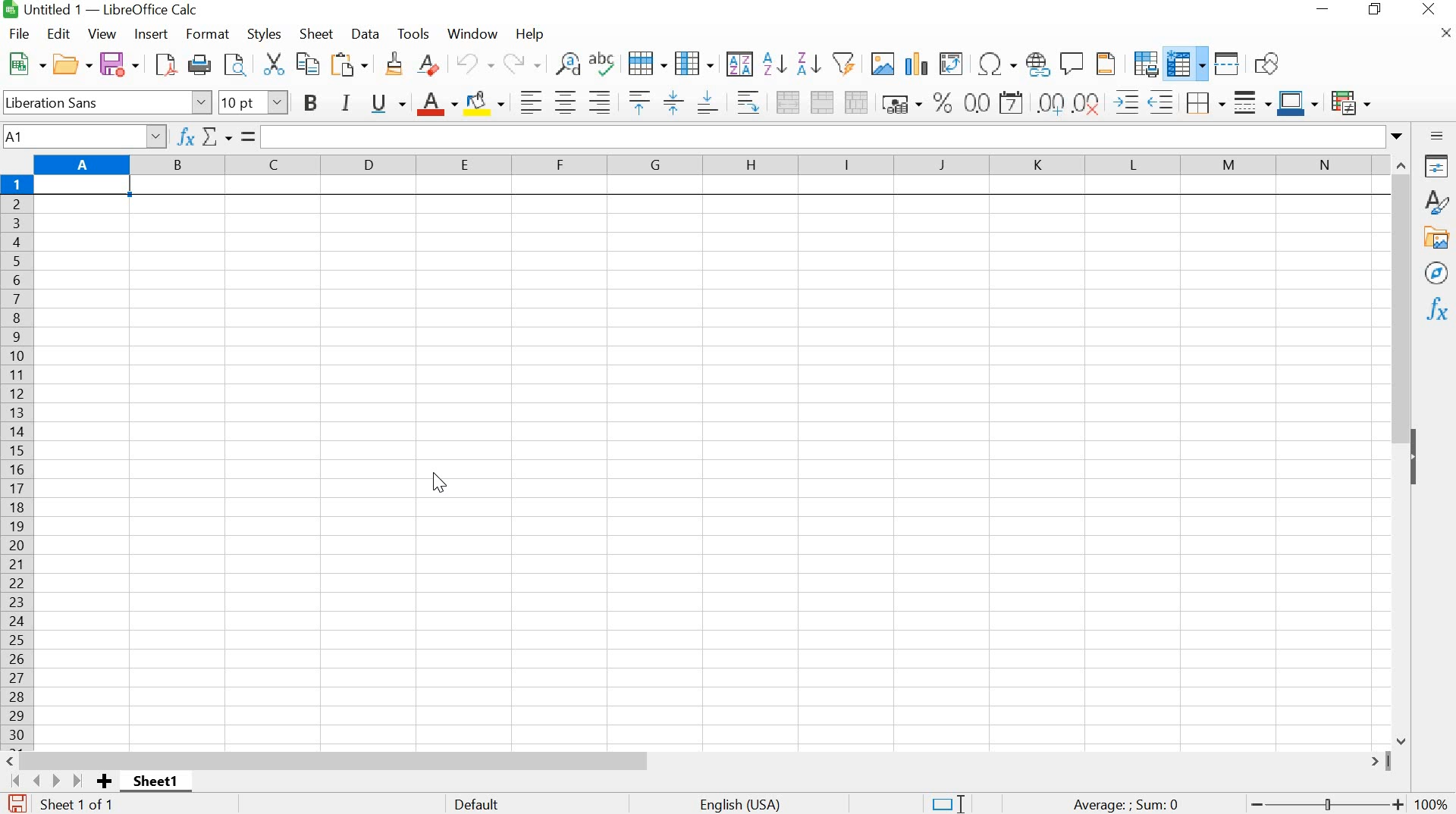 This screenshot has height=814, width=1456. I want to click on CLEAR DIRECT FORMATTING, so click(435, 67).